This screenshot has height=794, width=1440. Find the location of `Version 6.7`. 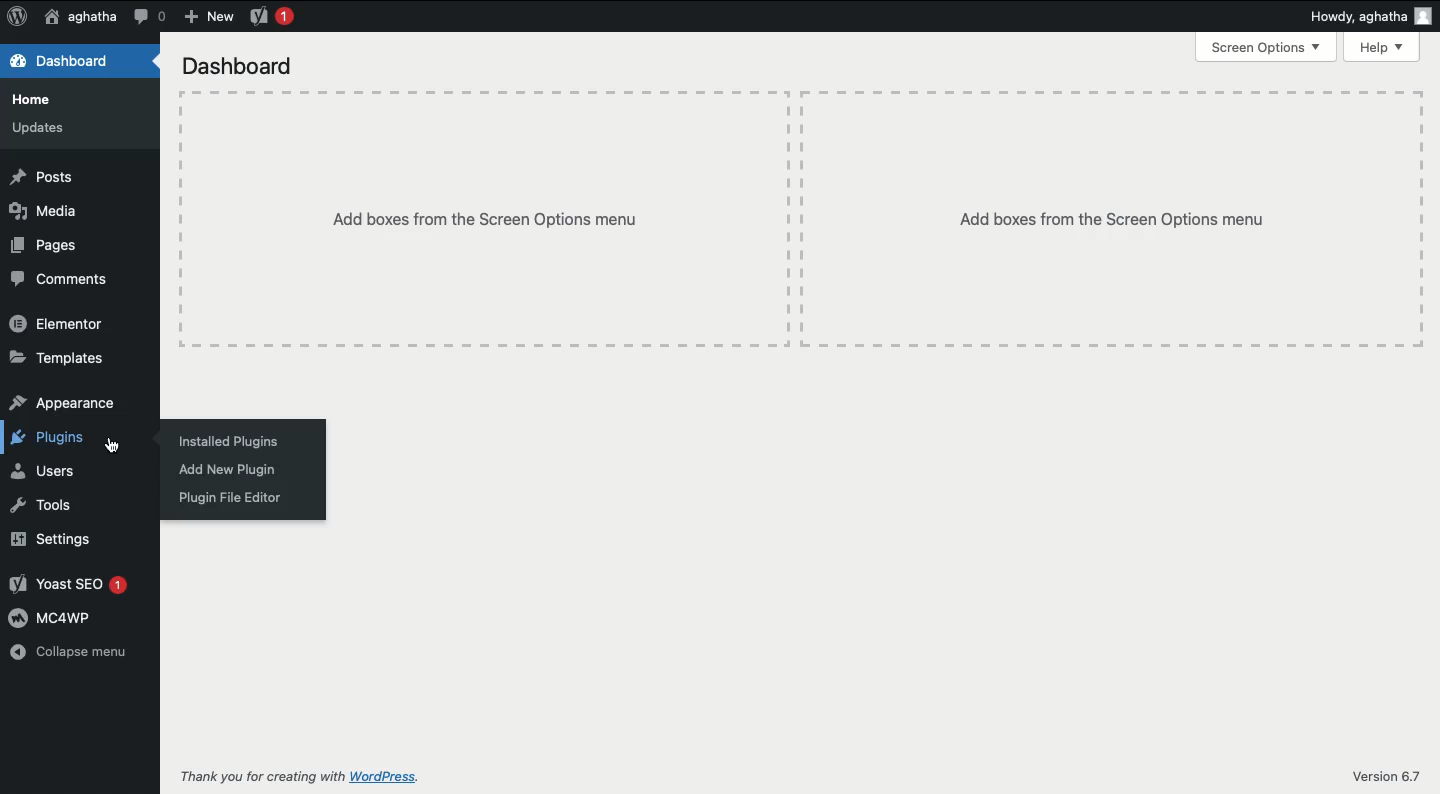

Version 6.7 is located at coordinates (1392, 771).